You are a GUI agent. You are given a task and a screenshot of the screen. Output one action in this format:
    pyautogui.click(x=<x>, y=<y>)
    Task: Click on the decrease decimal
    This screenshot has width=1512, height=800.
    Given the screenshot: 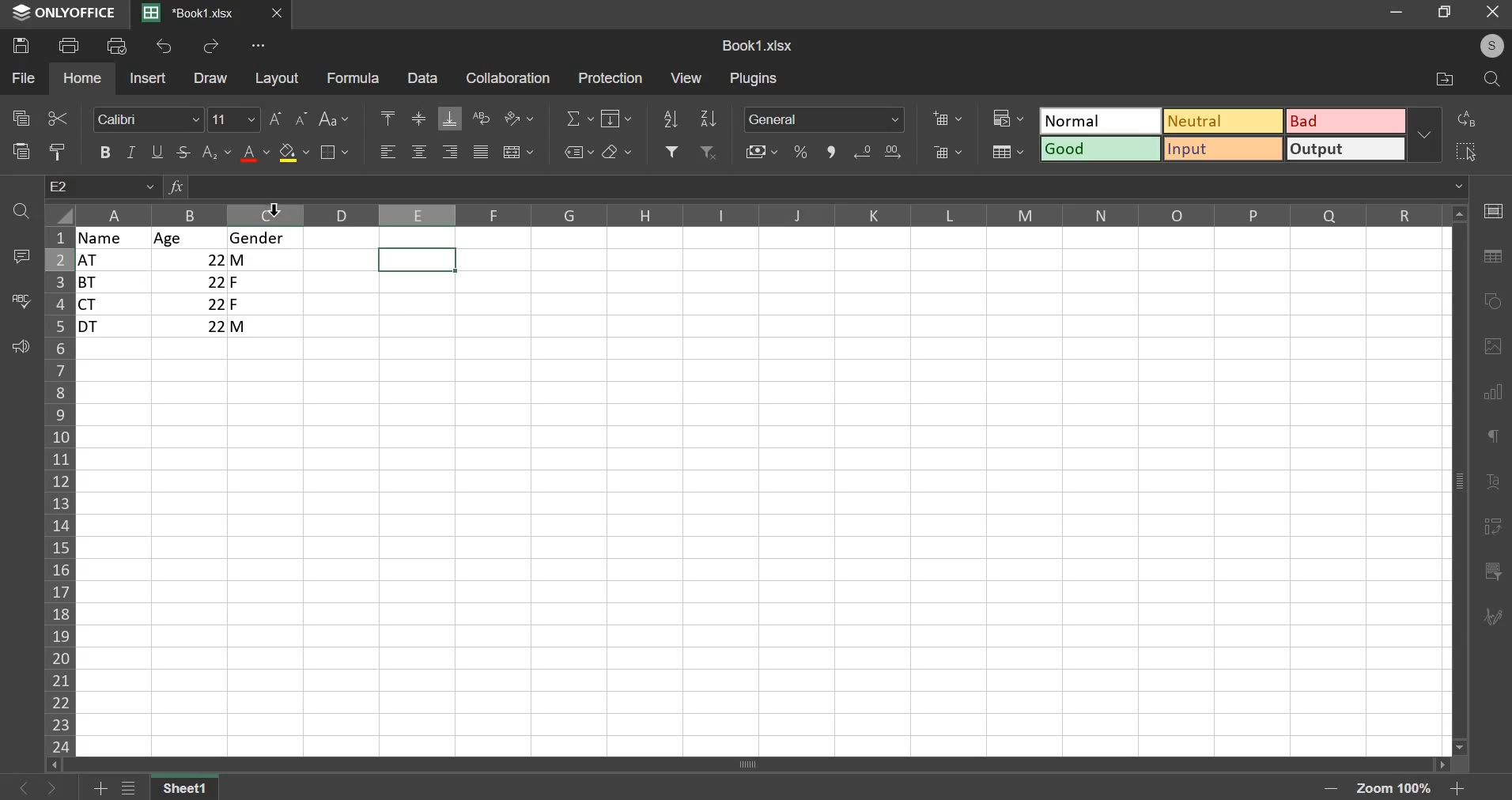 What is the action you would take?
    pyautogui.click(x=865, y=152)
    